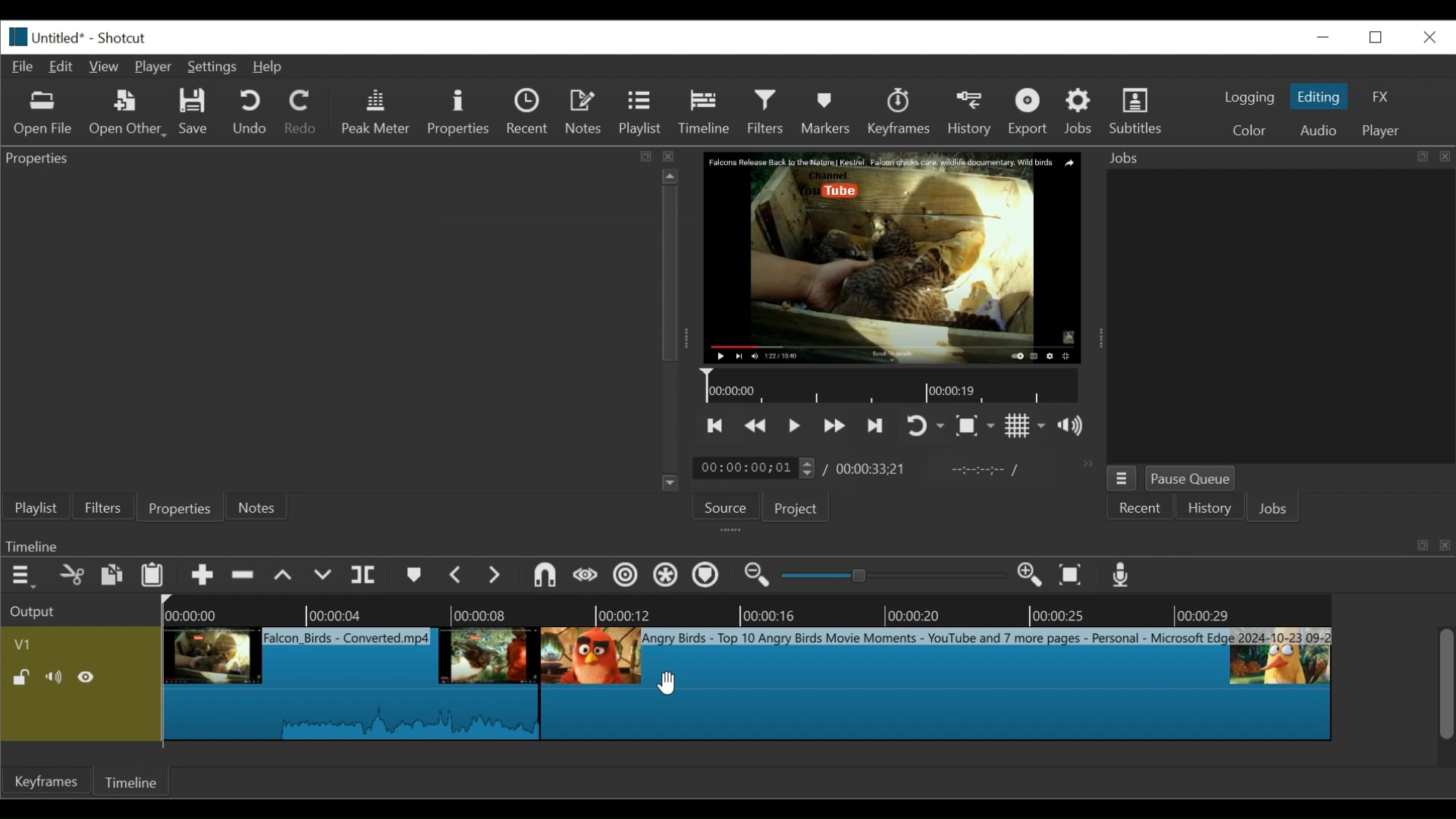 The width and height of the screenshot is (1456, 819). What do you see at coordinates (128, 114) in the screenshot?
I see `Open Other` at bounding box center [128, 114].